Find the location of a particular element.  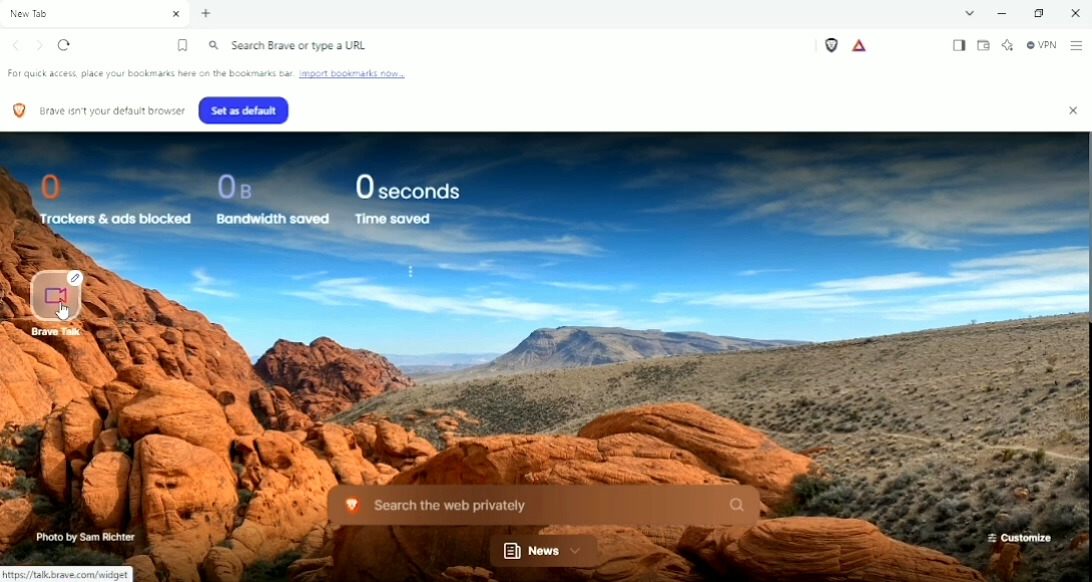

Bookmark this tab is located at coordinates (182, 46).